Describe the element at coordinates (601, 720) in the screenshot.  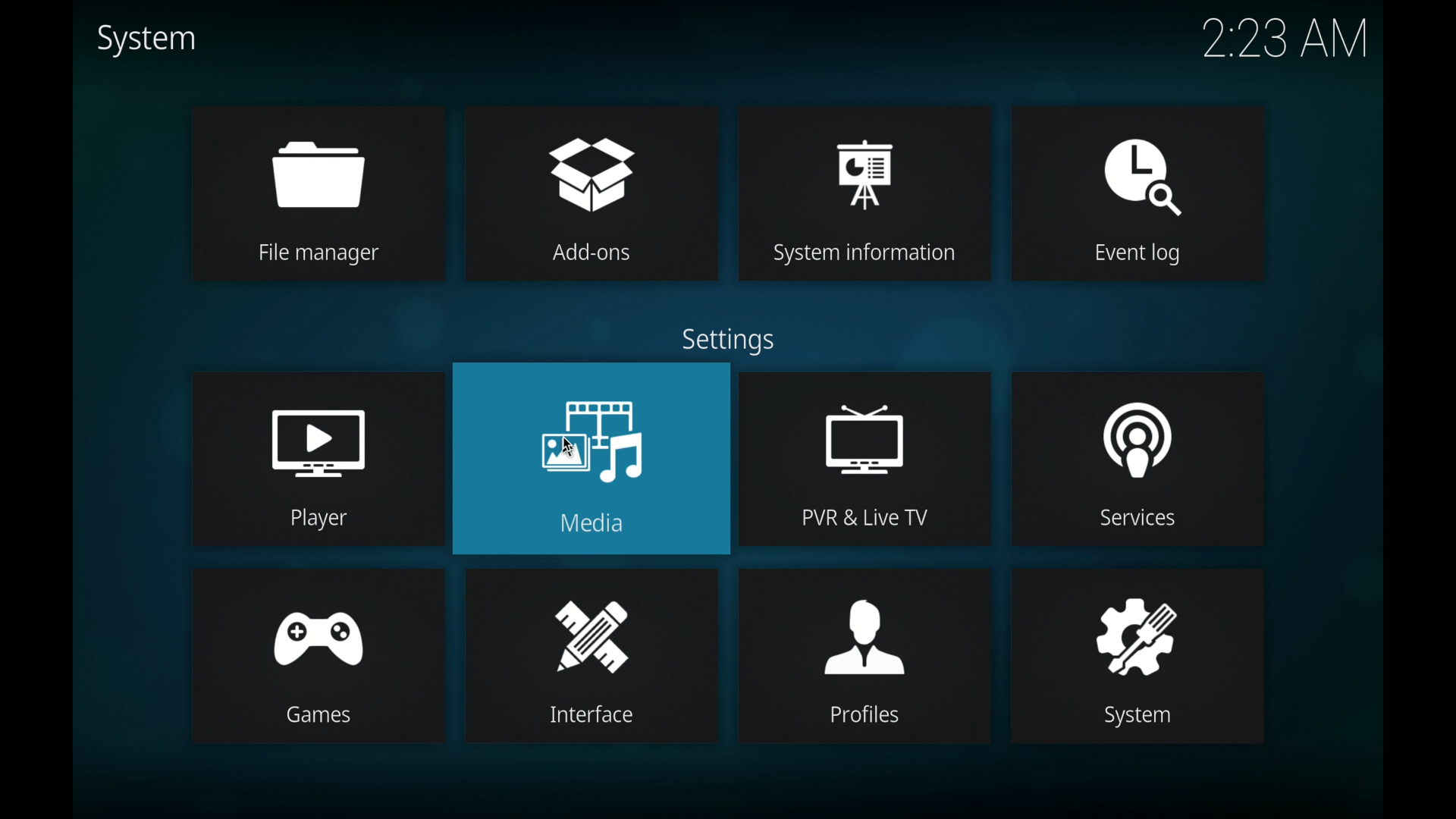
I see `Interface` at that location.